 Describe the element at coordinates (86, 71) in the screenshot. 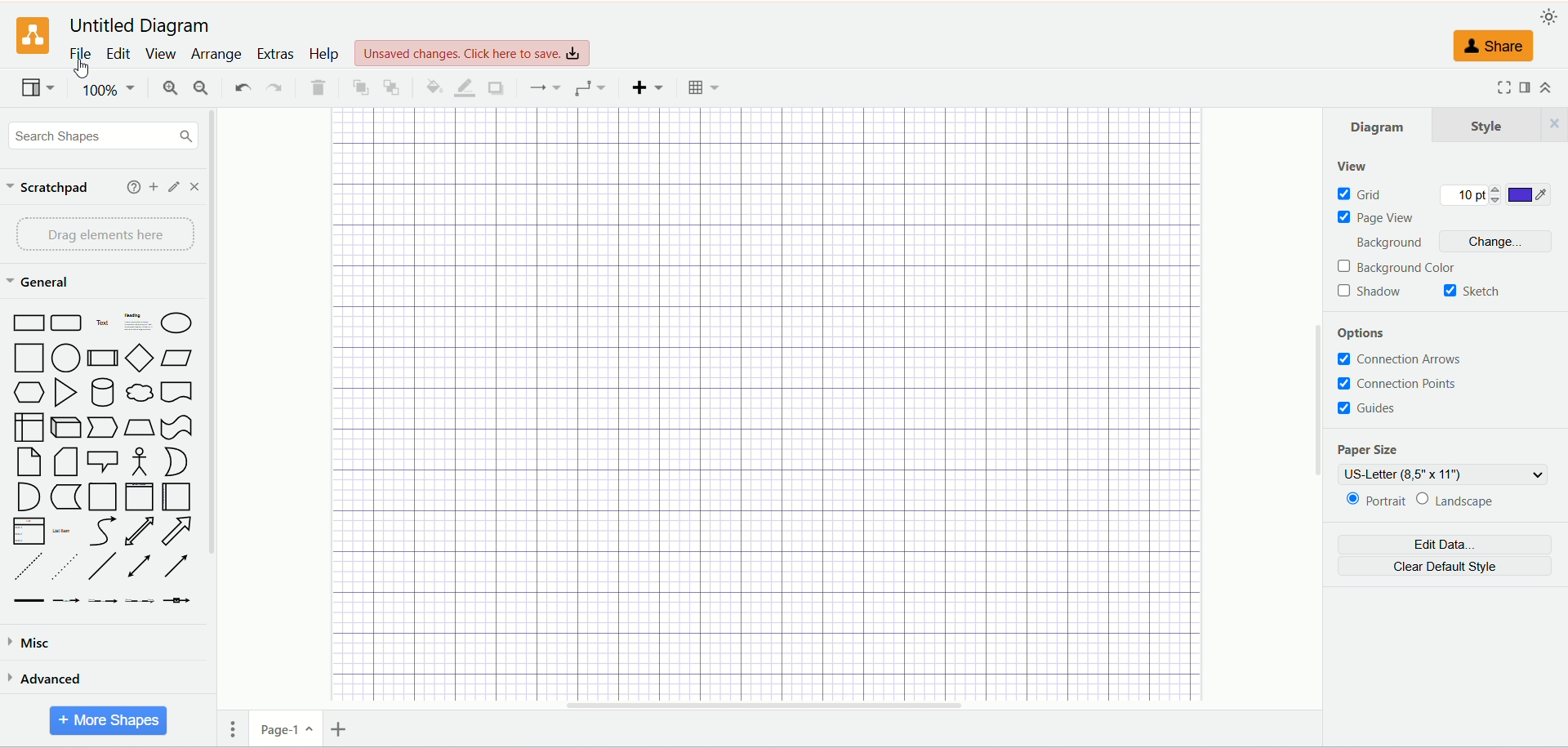

I see `cursor` at that location.